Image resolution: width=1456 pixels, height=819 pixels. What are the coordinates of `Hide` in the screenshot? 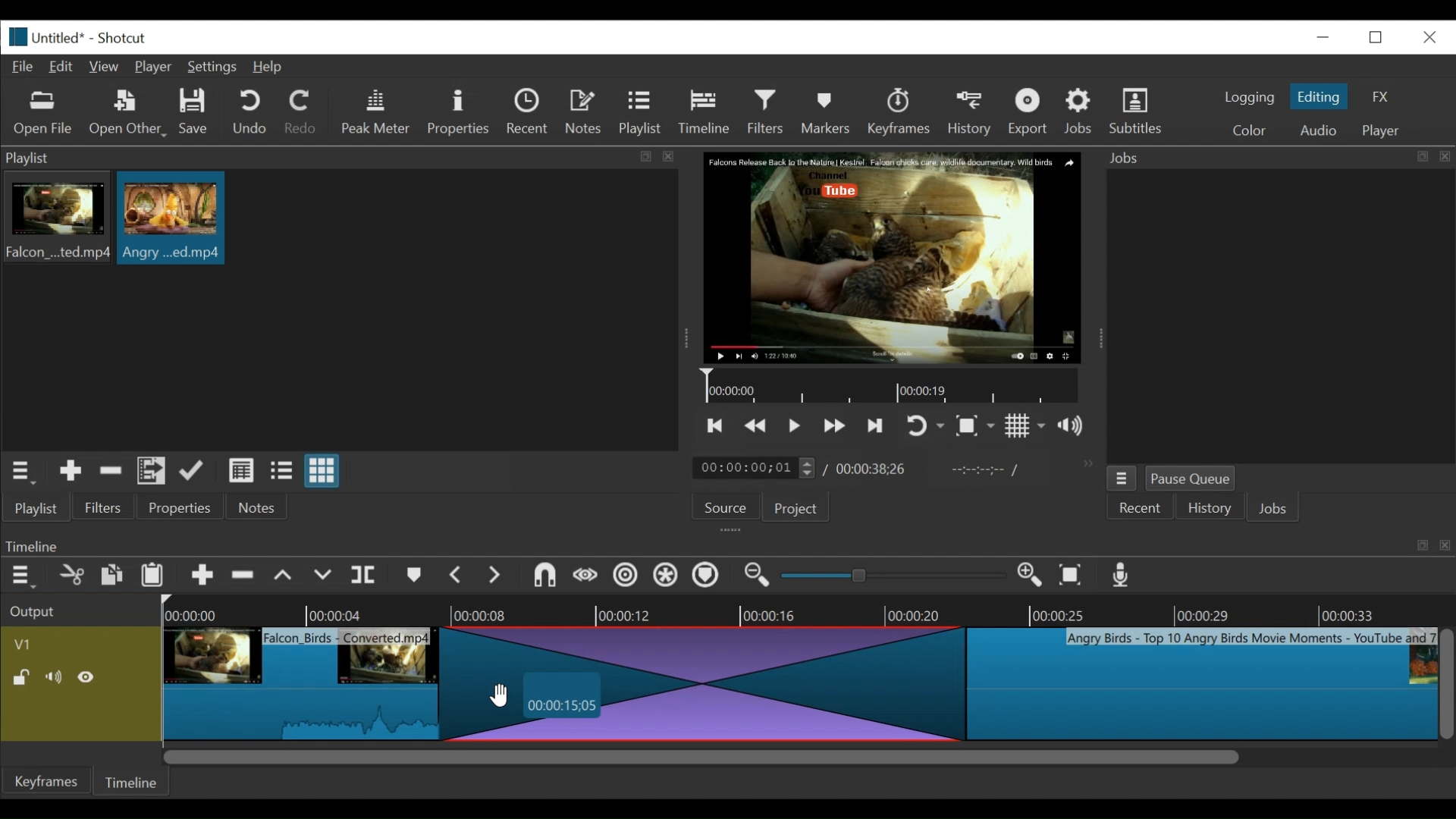 It's located at (90, 677).